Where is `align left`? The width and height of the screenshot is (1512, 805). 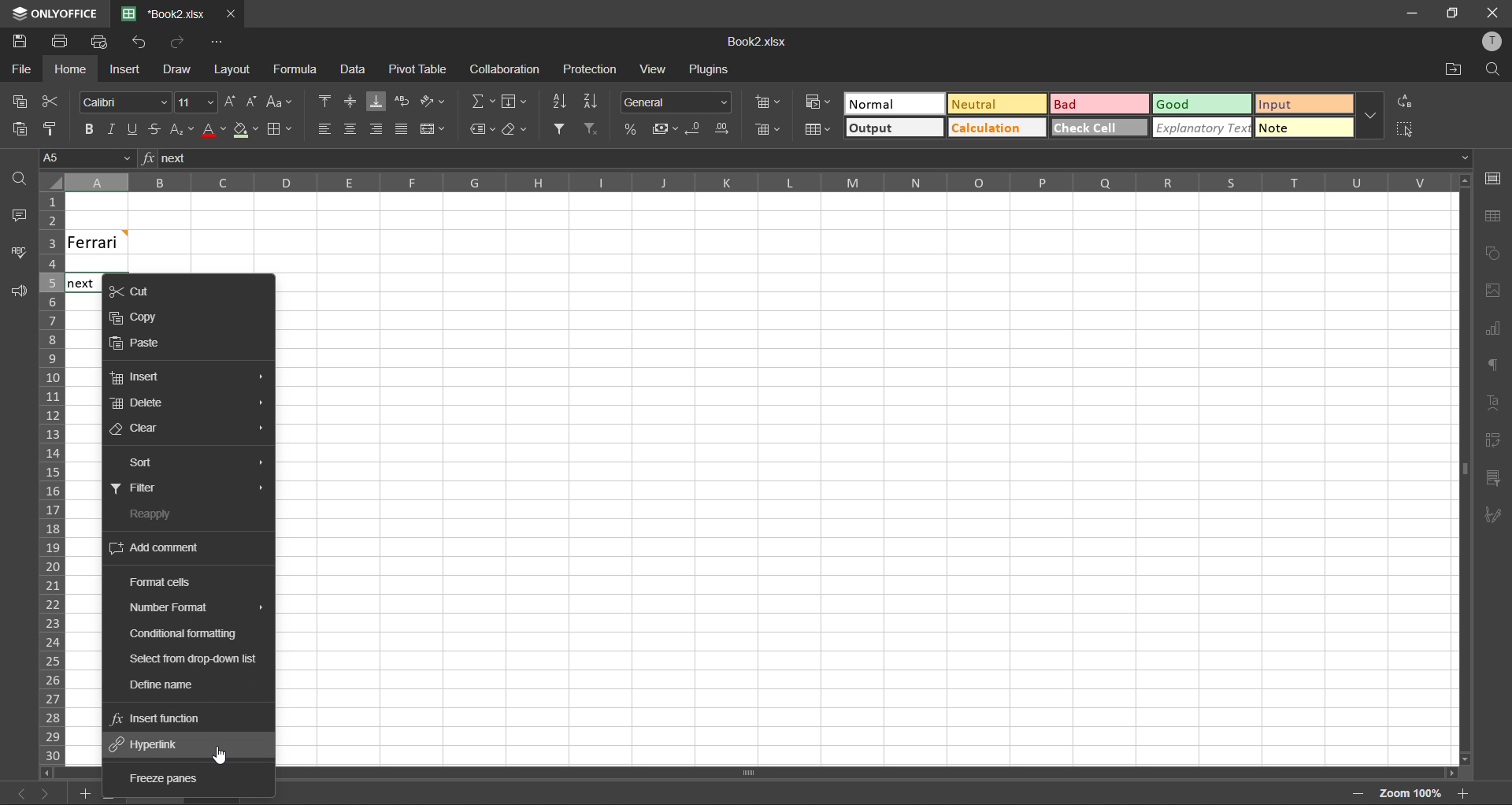 align left is located at coordinates (324, 127).